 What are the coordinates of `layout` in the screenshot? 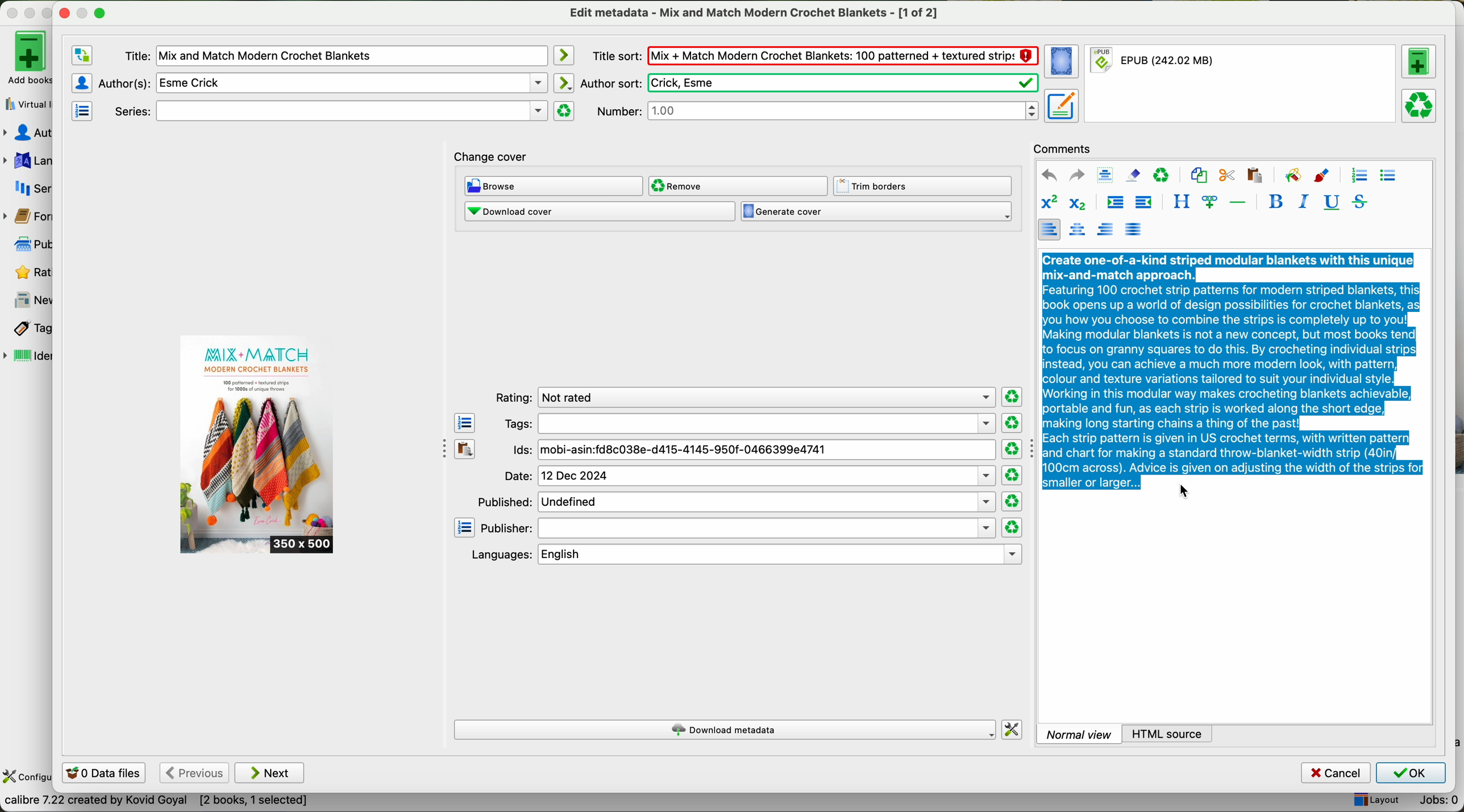 It's located at (1375, 801).